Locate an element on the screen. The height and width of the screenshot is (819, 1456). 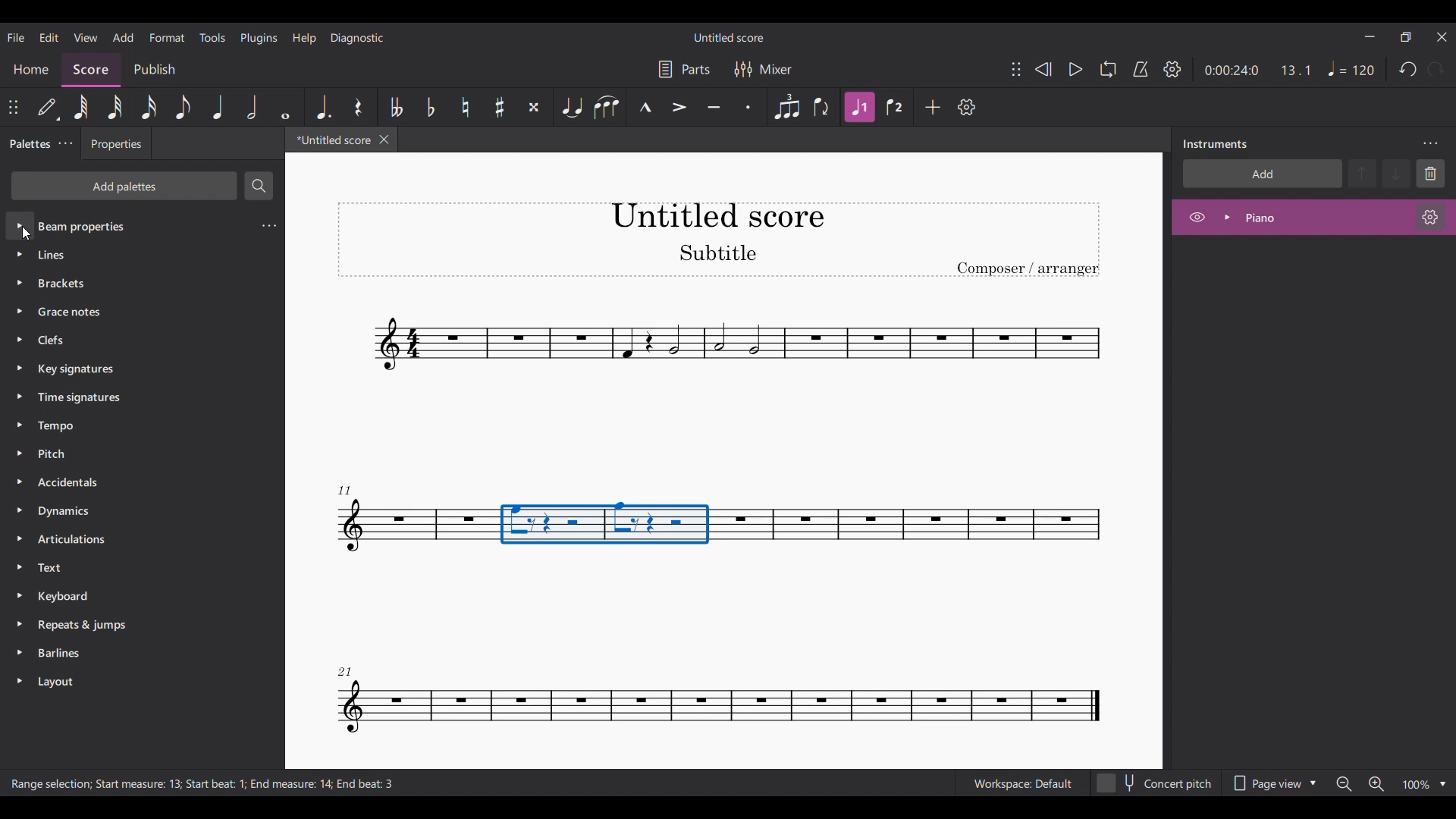
File menu is located at coordinates (15, 37).